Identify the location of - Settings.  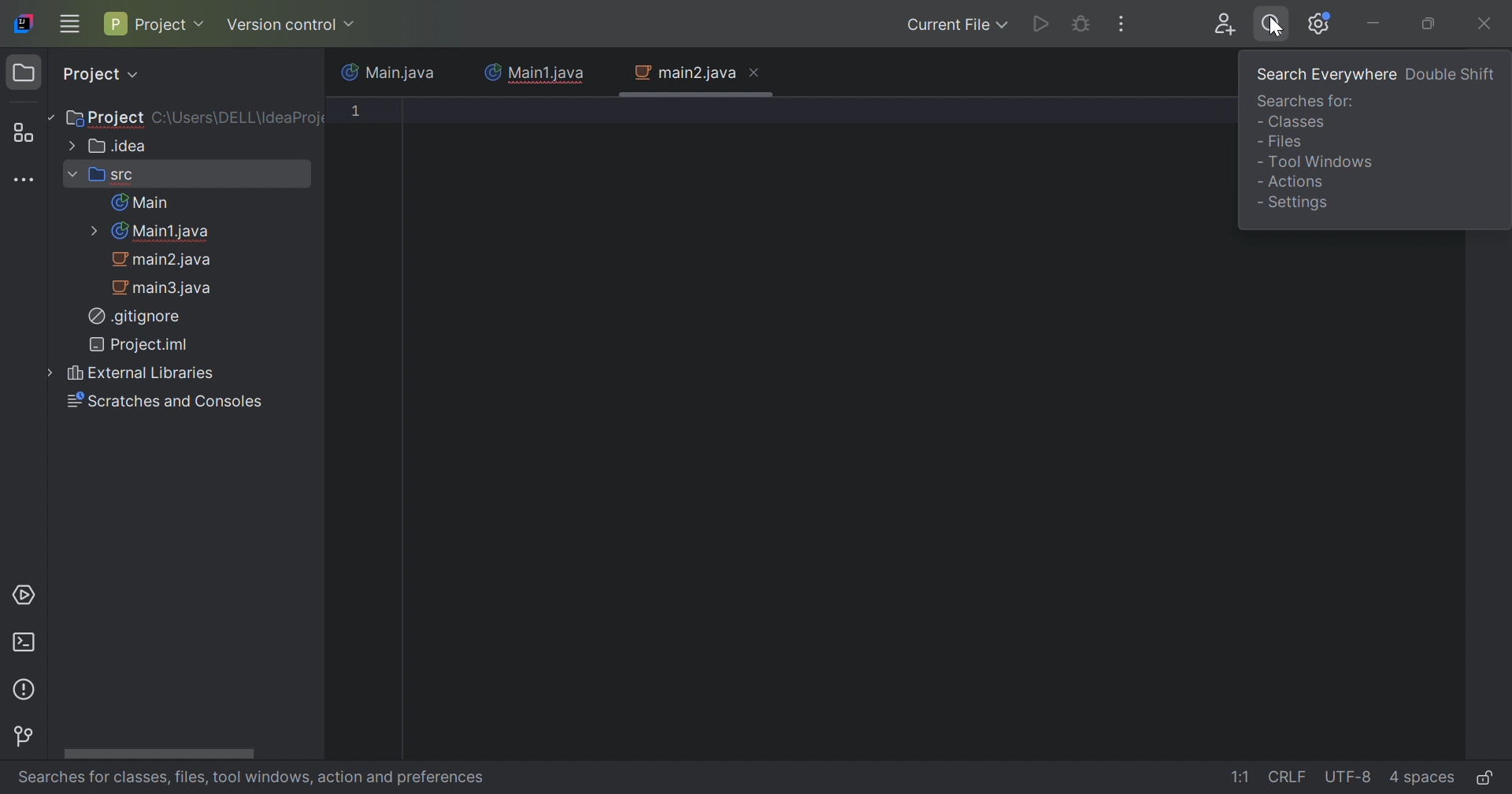
(1293, 205).